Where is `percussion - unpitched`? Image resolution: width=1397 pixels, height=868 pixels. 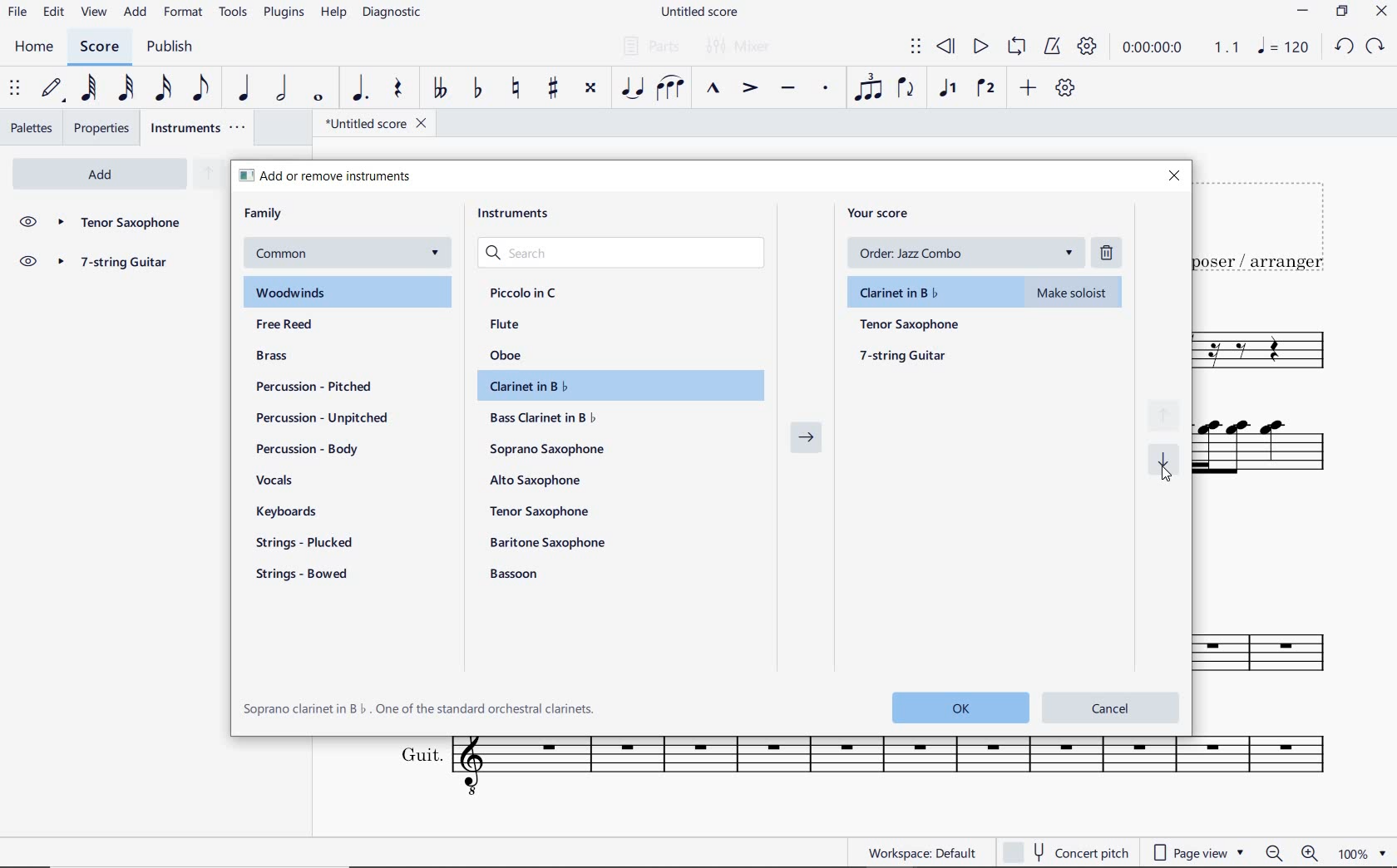
percussion - unpitched is located at coordinates (323, 418).